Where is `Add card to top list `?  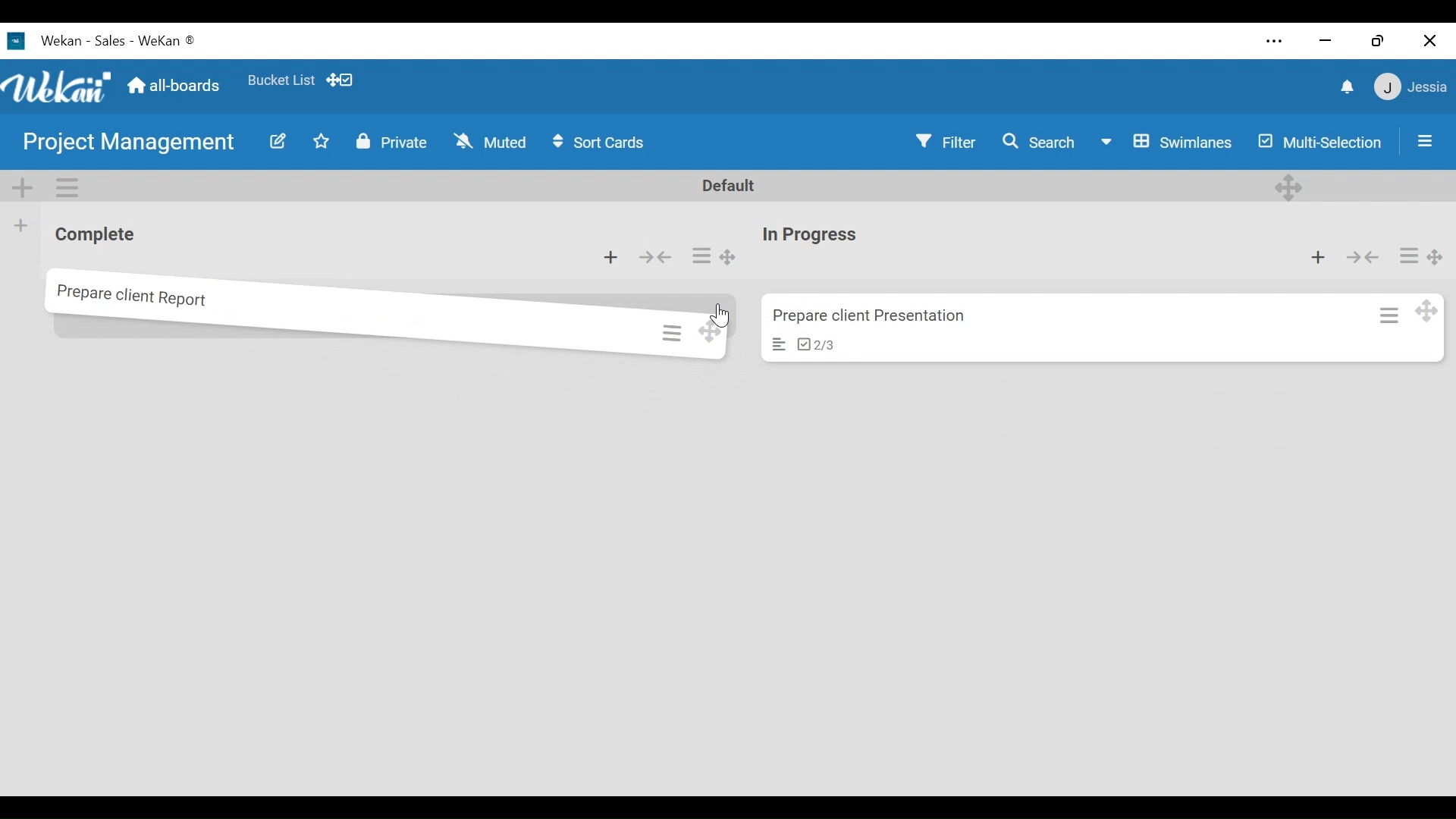 Add card to top list  is located at coordinates (1318, 259).